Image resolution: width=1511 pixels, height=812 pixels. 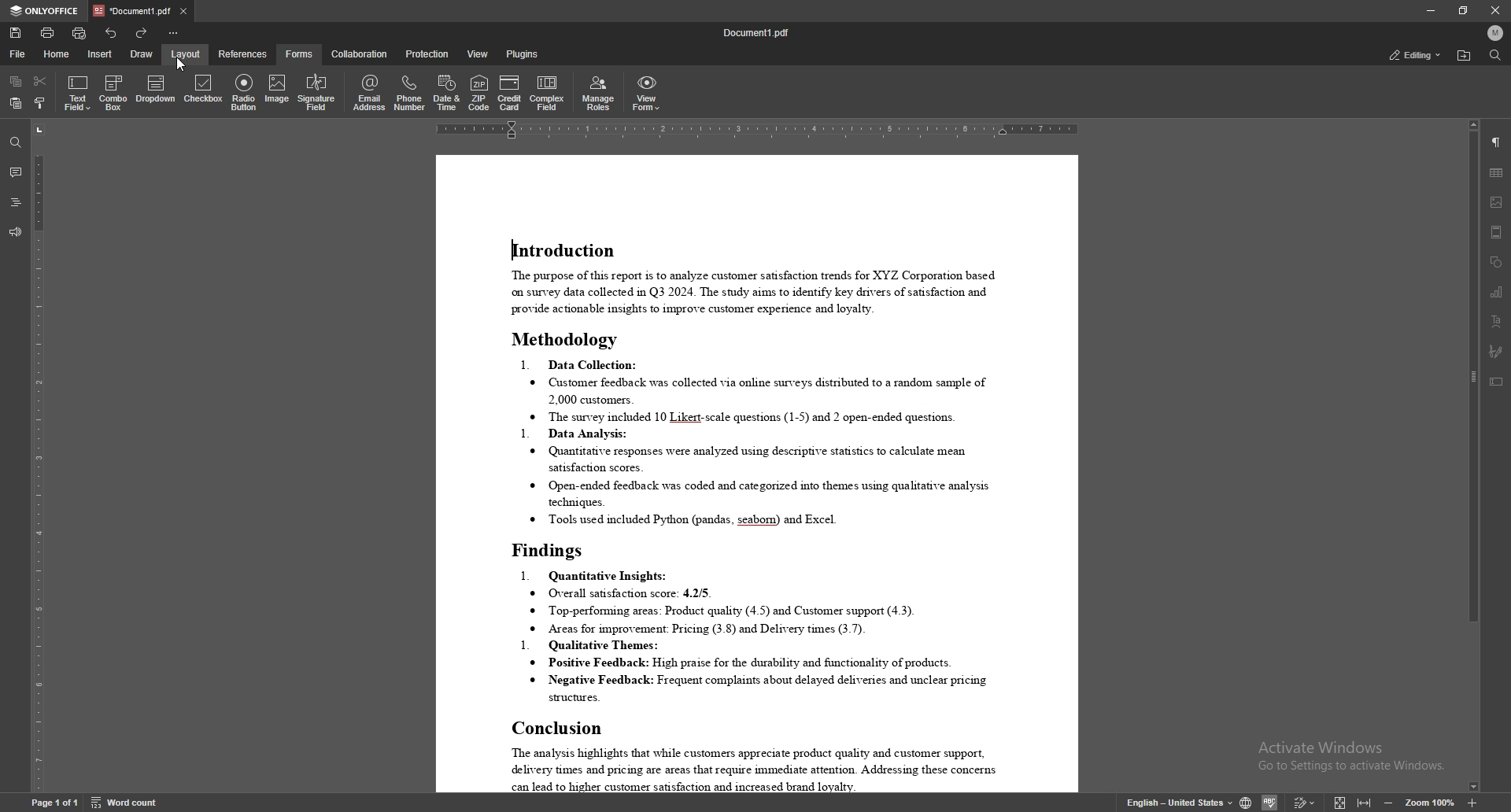 I want to click on manage roles, so click(x=598, y=94).